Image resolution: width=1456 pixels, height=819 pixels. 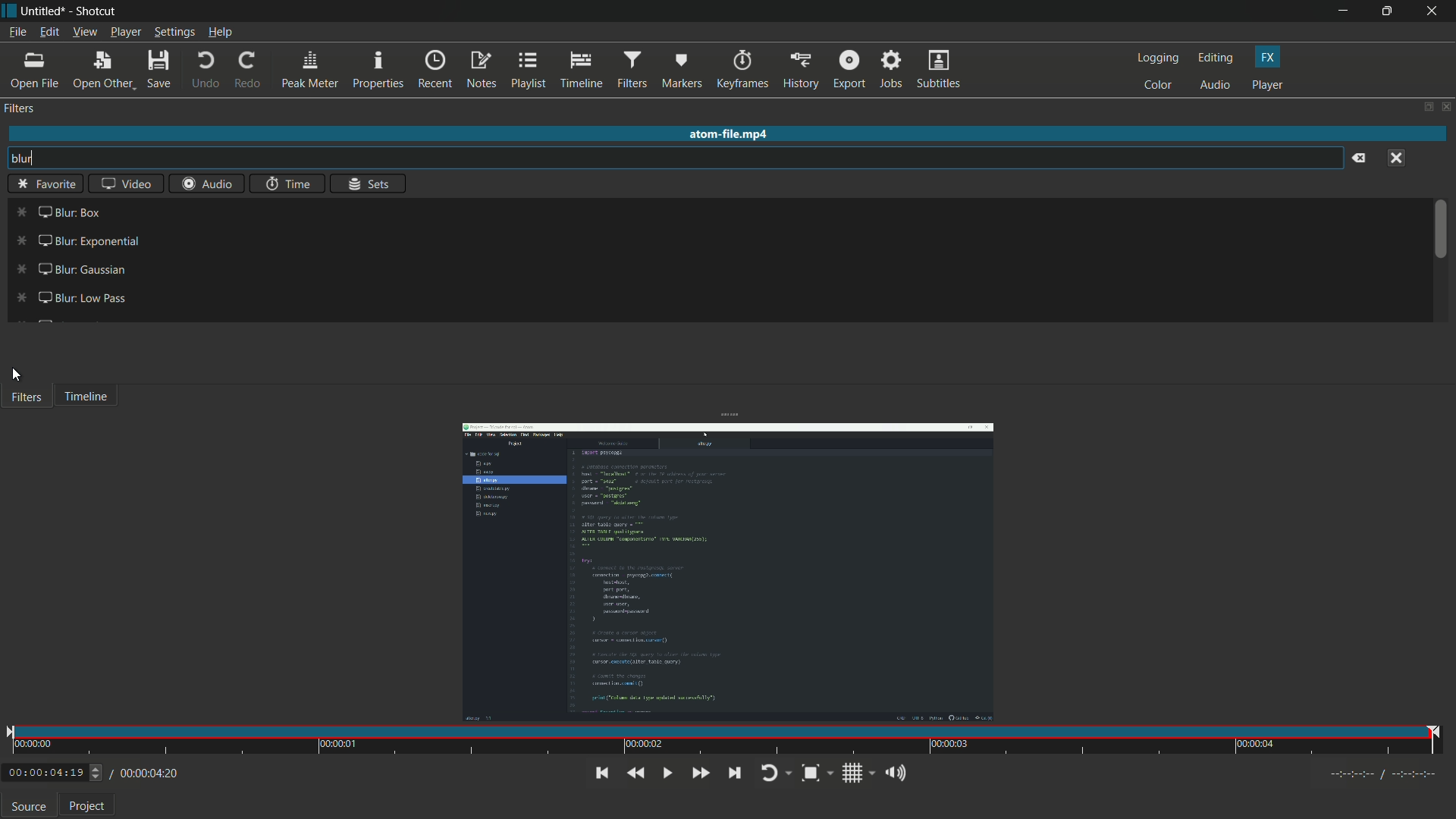 What do you see at coordinates (630, 71) in the screenshot?
I see `filters` at bounding box center [630, 71].